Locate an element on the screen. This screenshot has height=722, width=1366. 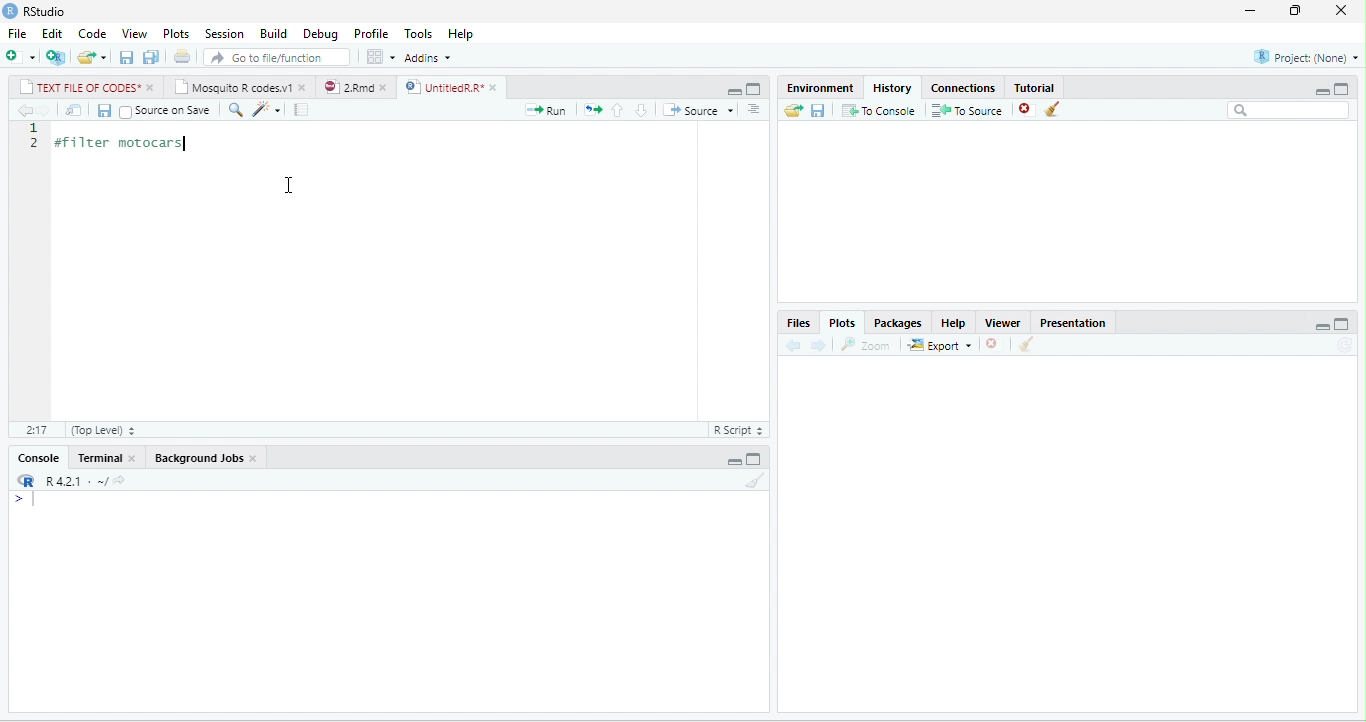
minimize is located at coordinates (1321, 91).